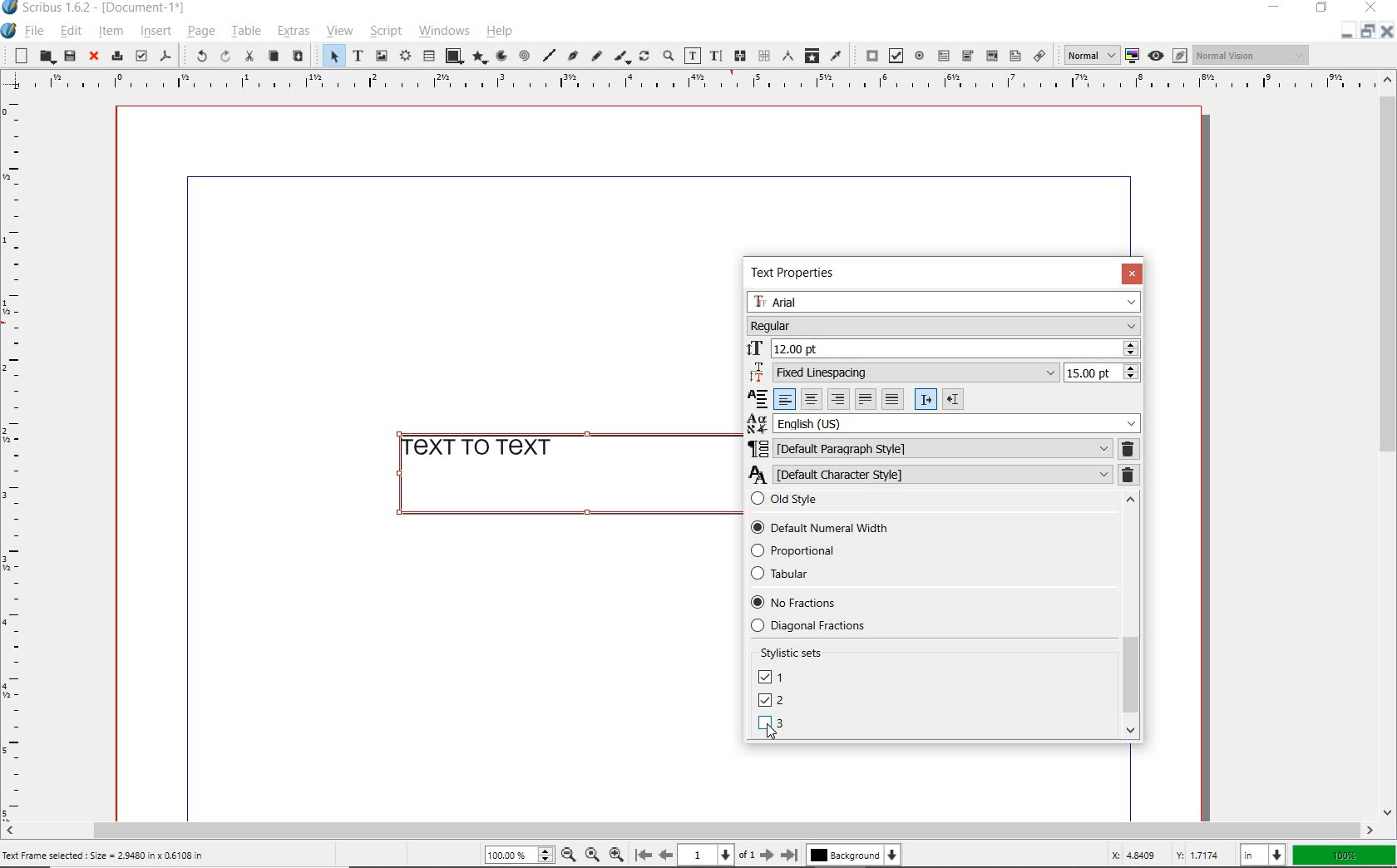  What do you see at coordinates (383, 56) in the screenshot?
I see `image frame` at bounding box center [383, 56].